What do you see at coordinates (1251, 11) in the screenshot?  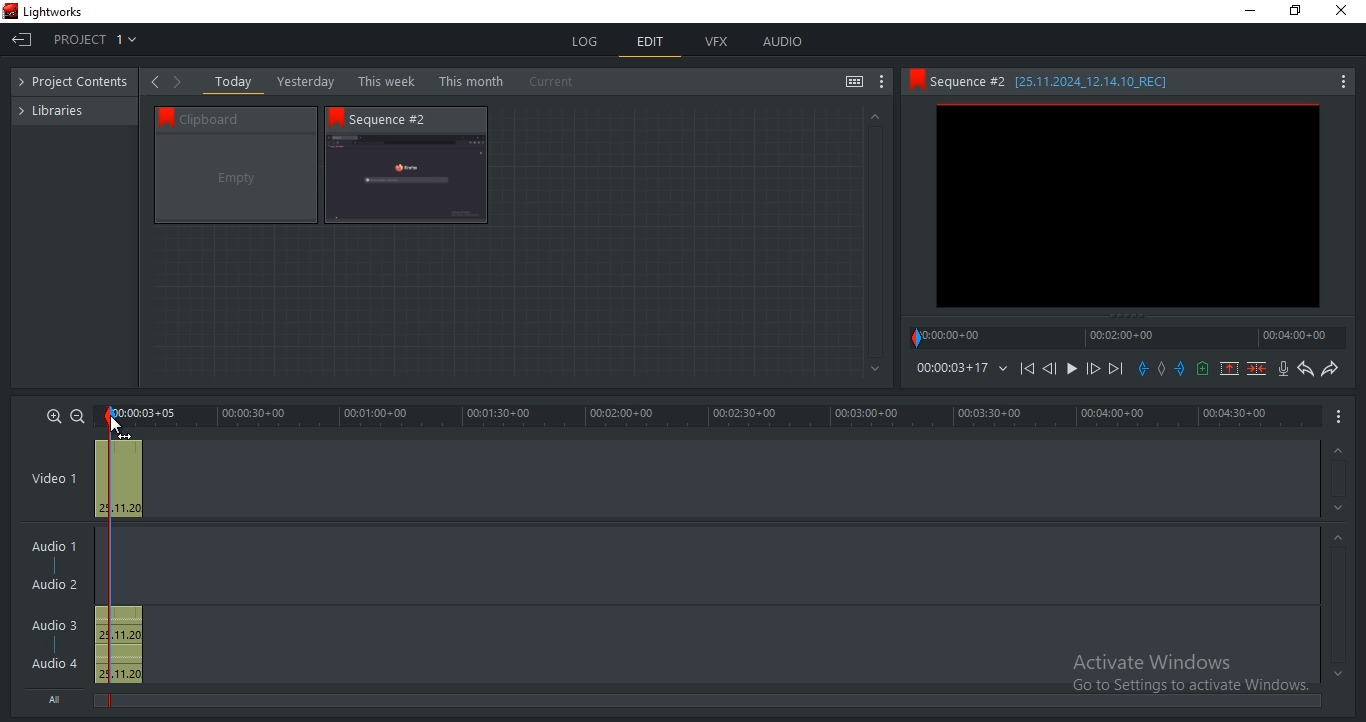 I see `minimize` at bounding box center [1251, 11].